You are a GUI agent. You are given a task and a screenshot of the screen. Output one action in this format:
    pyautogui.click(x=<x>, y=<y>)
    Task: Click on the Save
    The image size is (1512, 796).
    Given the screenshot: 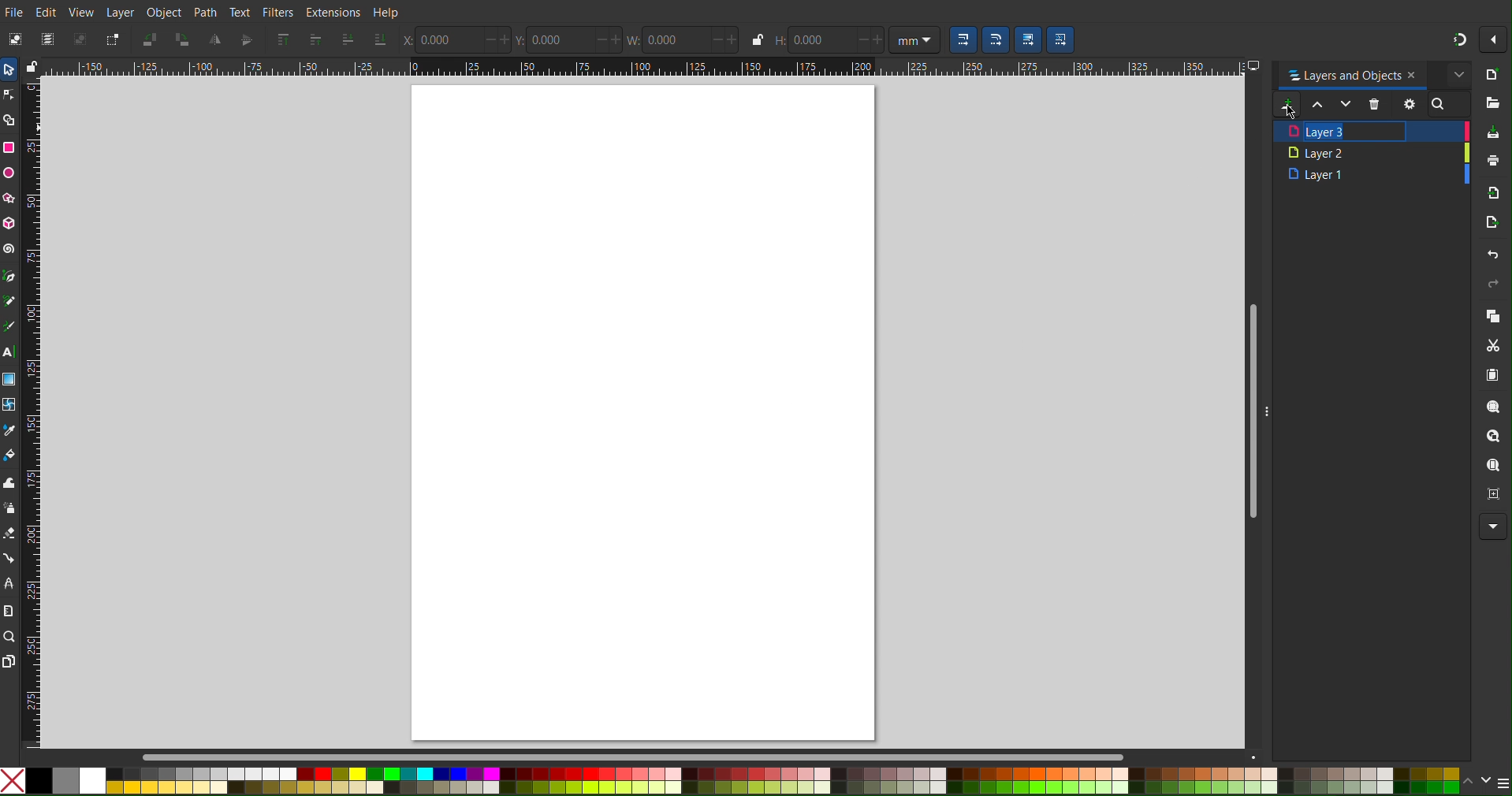 What is the action you would take?
    pyautogui.click(x=1492, y=132)
    